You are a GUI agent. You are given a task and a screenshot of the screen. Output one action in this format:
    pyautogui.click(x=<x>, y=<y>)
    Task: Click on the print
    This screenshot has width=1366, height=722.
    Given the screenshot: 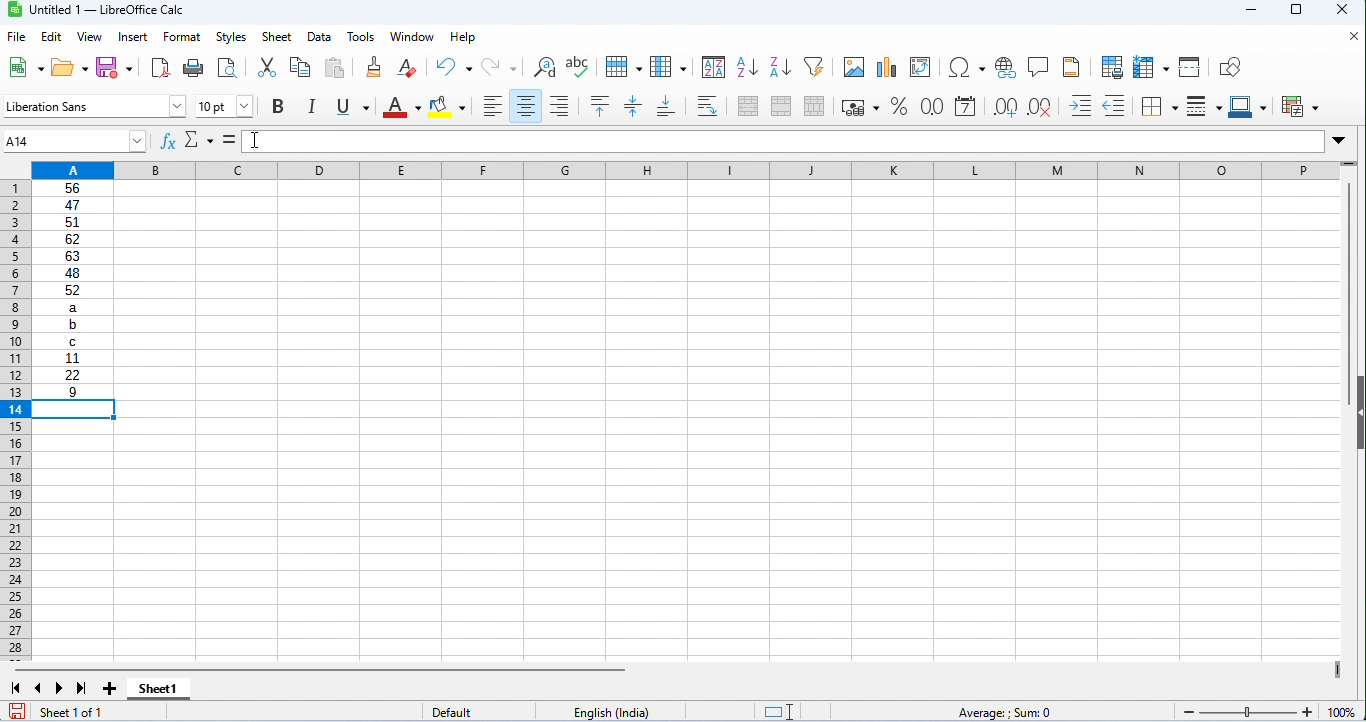 What is the action you would take?
    pyautogui.click(x=192, y=69)
    